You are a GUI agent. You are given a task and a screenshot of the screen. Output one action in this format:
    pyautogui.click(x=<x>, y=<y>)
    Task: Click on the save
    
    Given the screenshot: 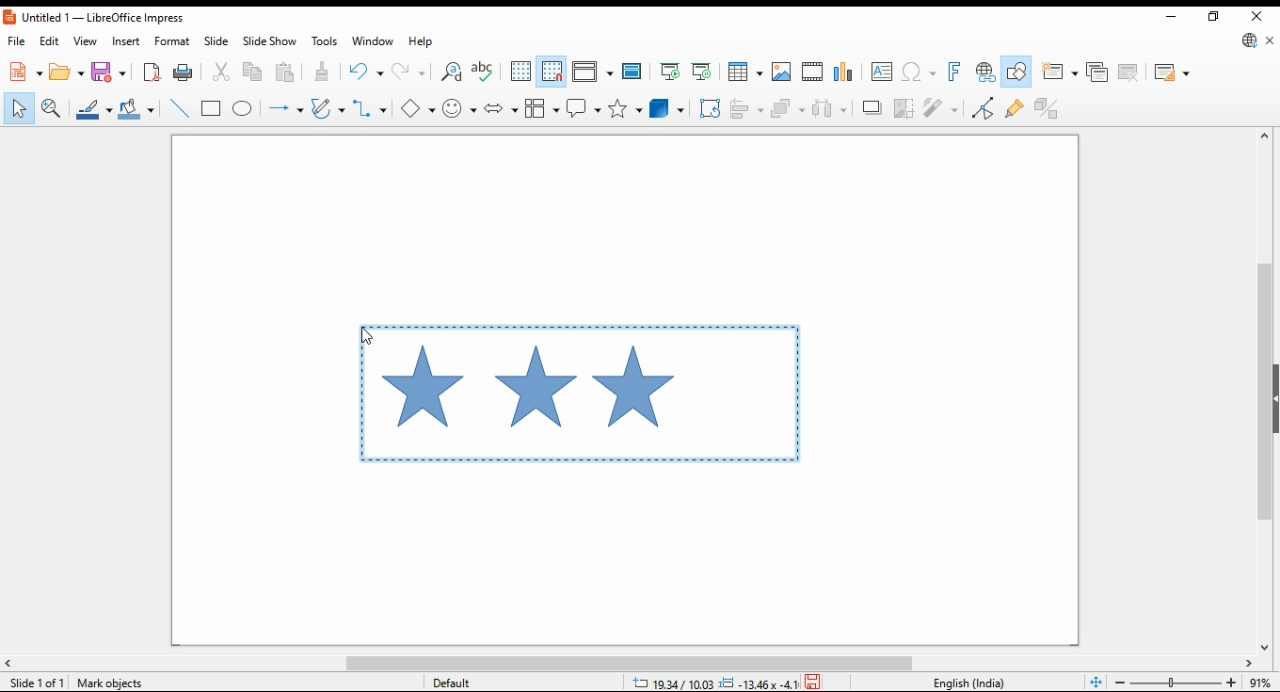 What is the action you would take?
    pyautogui.click(x=812, y=681)
    